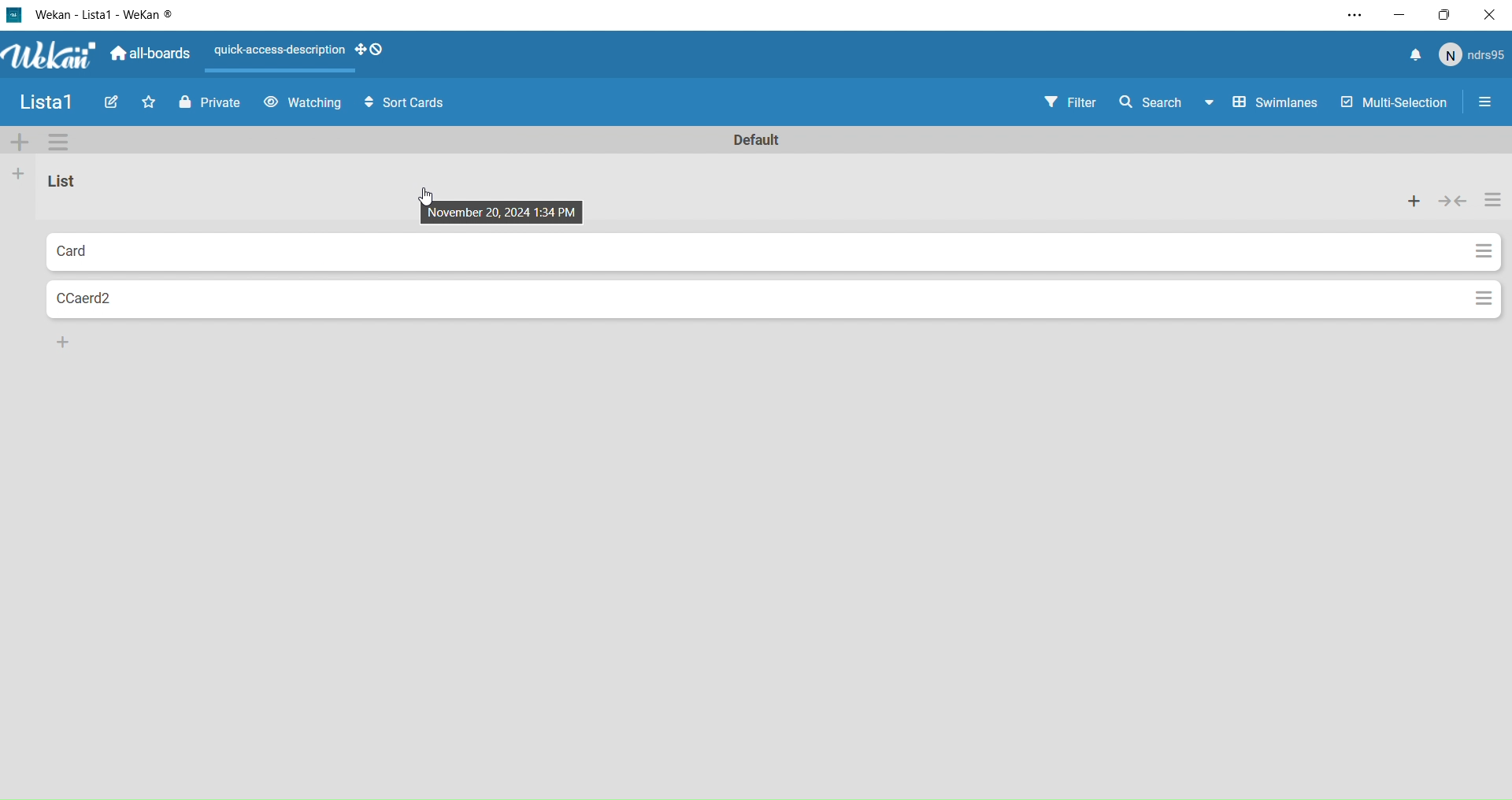 The image size is (1512, 800). What do you see at coordinates (1404, 14) in the screenshot?
I see `Minimize` at bounding box center [1404, 14].